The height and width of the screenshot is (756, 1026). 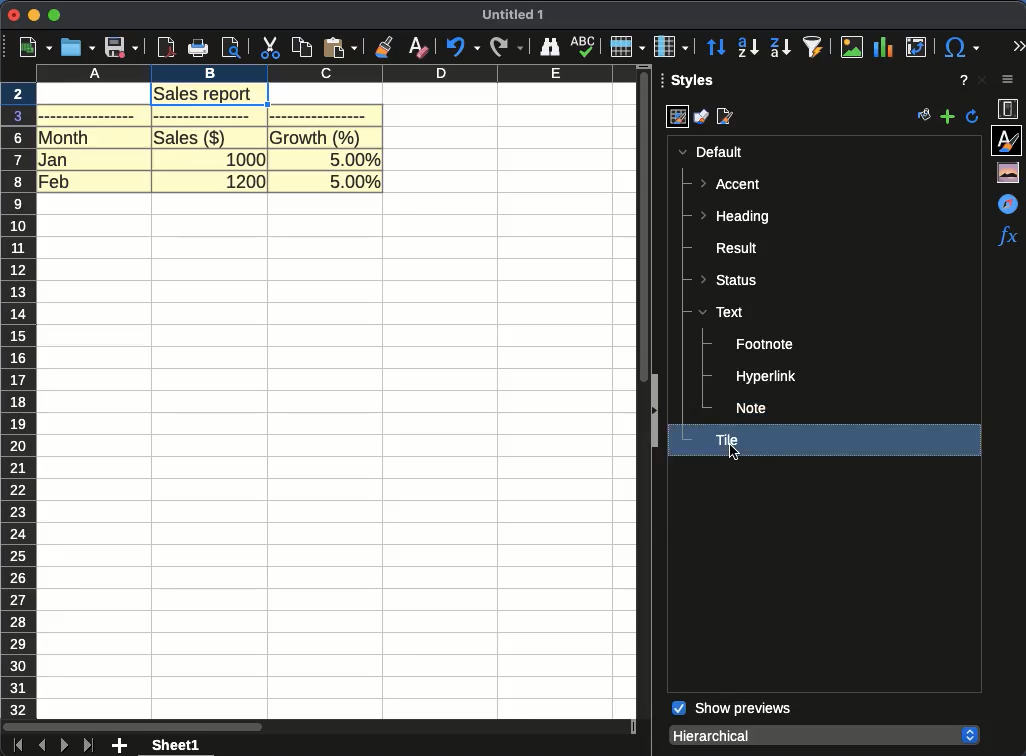 What do you see at coordinates (317, 137) in the screenshot?
I see `growth (%)` at bounding box center [317, 137].